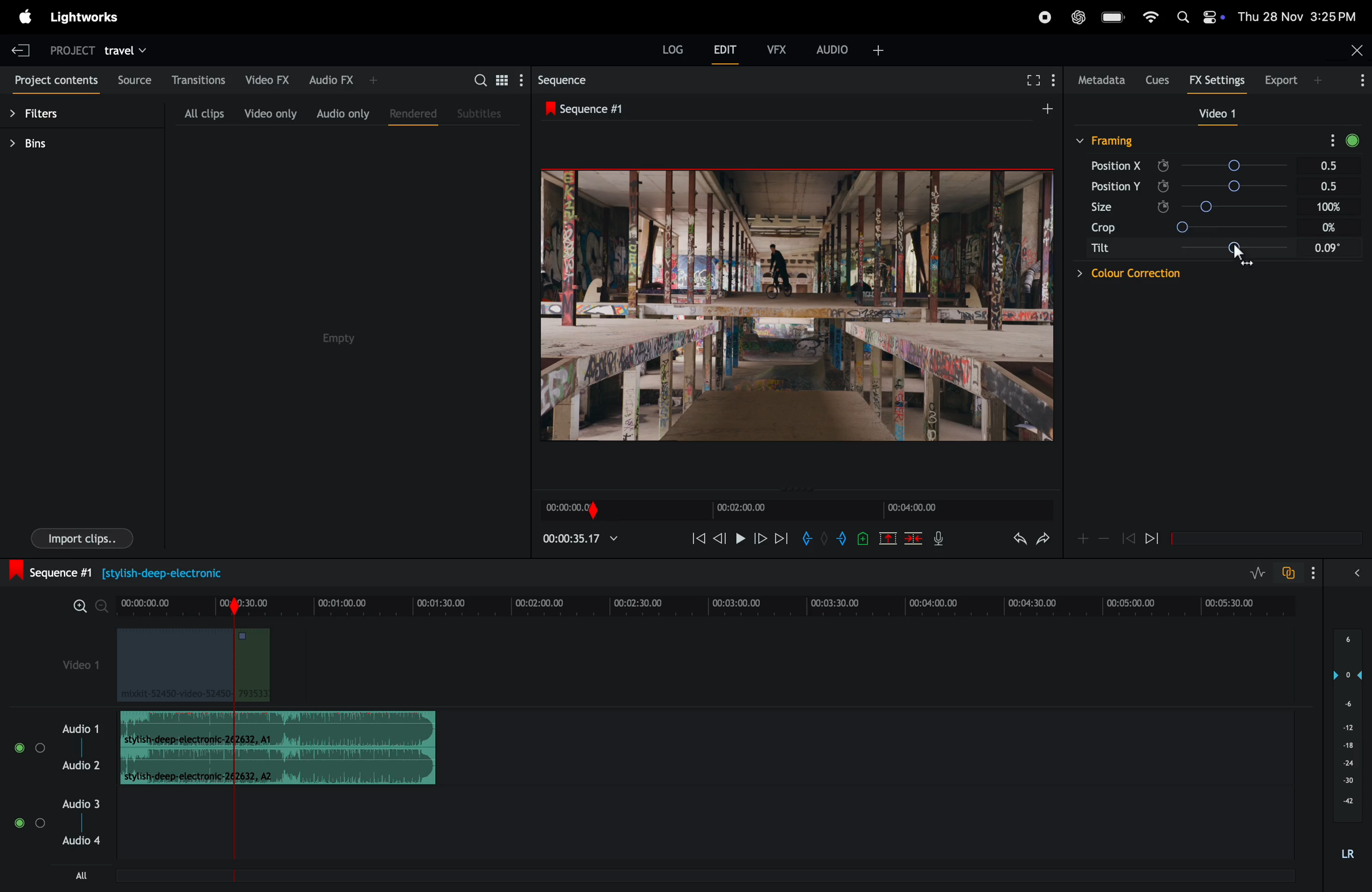 The image size is (1372, 892). I want to click on filters, so click(46, 110).